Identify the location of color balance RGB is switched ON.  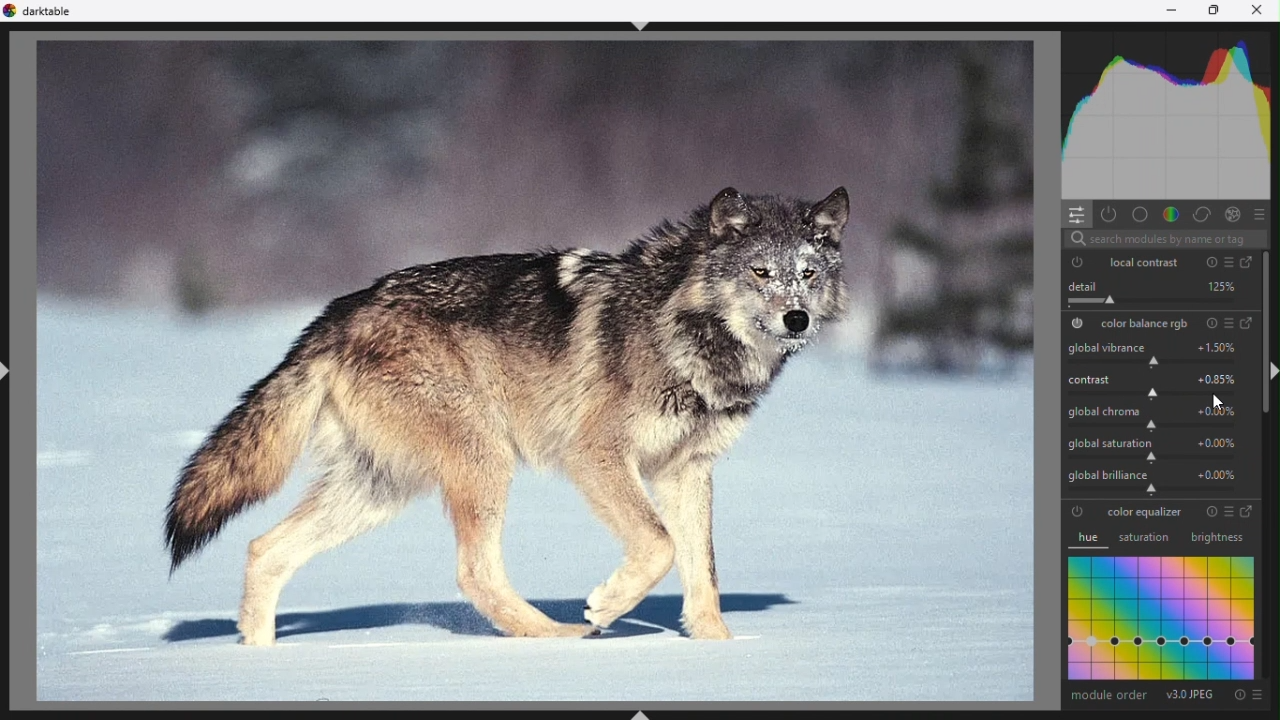
(1078, 324).